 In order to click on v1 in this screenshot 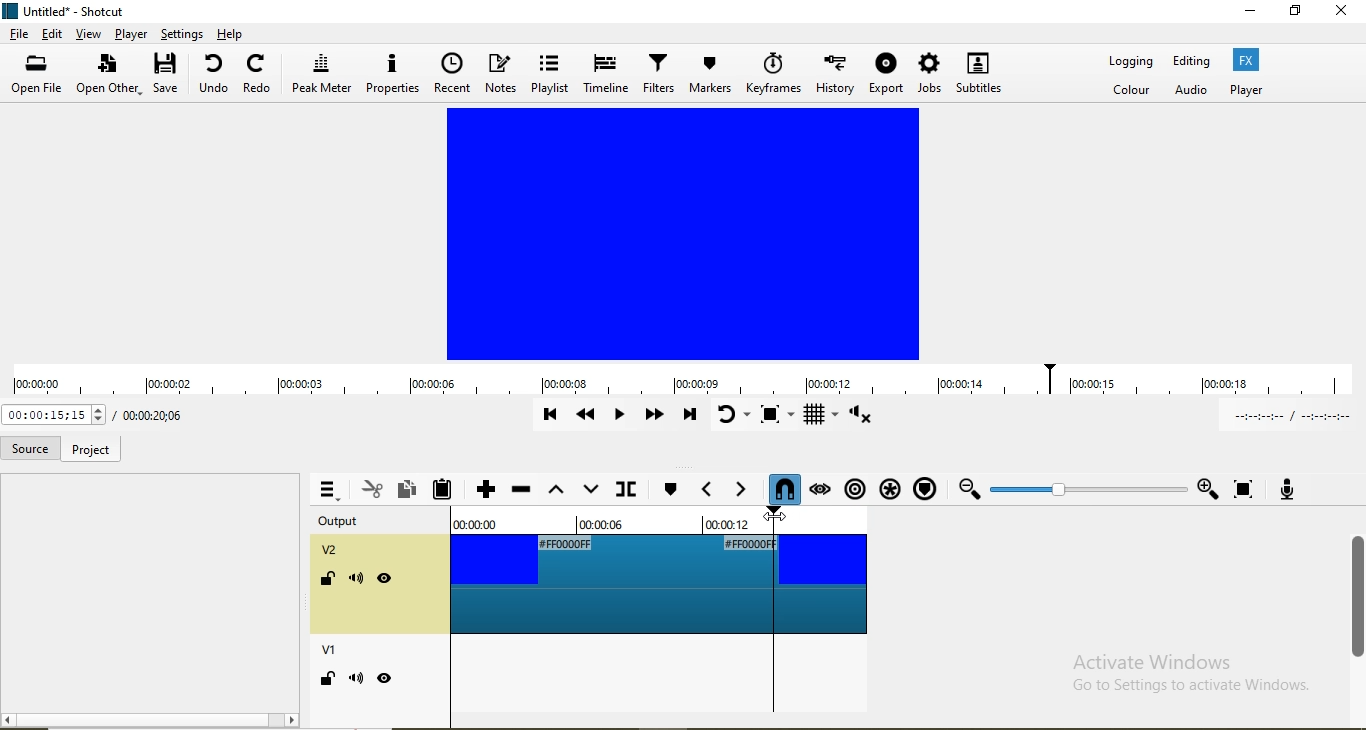, I will do `click(332, 652)`.